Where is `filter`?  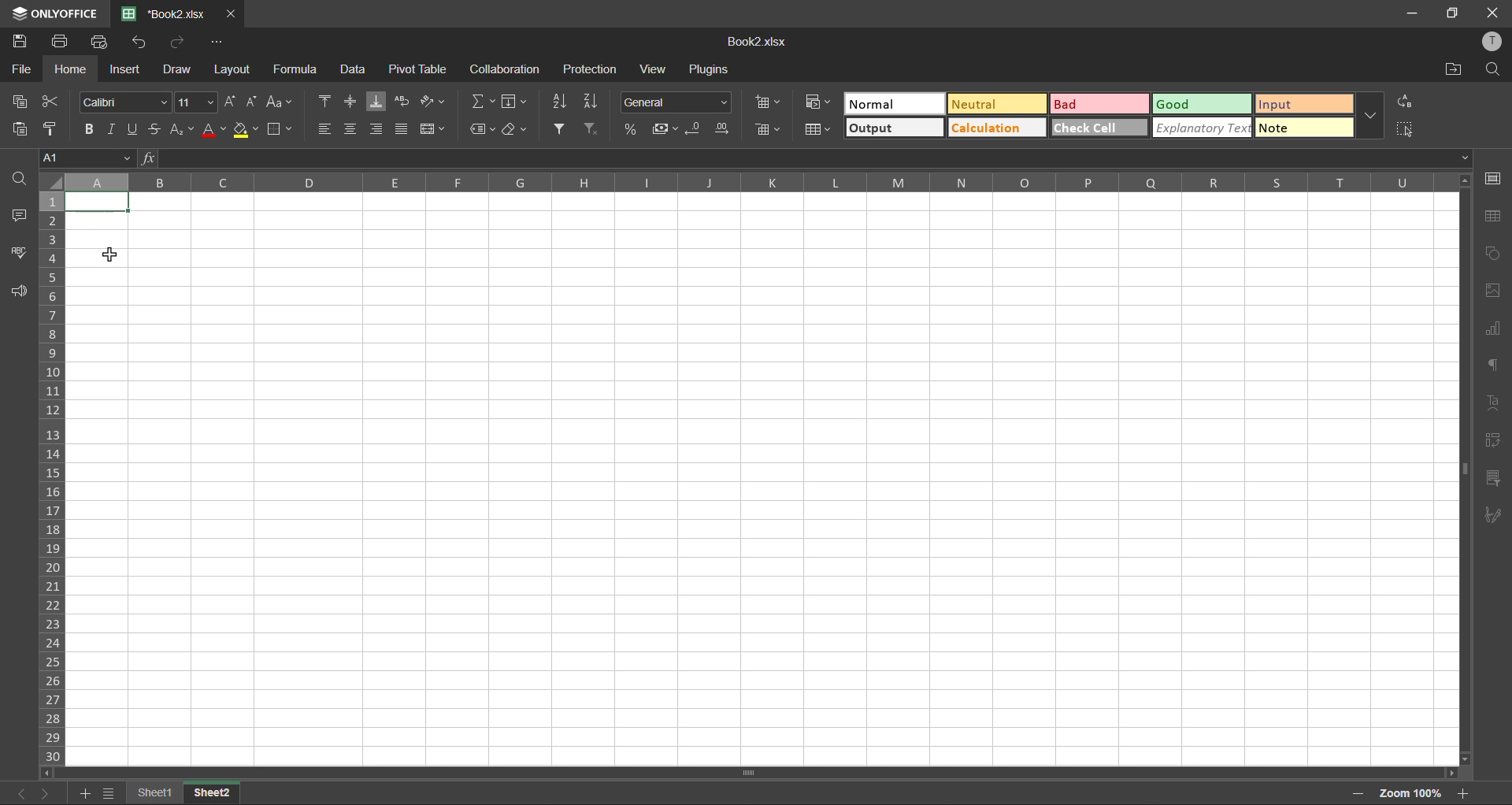 filter is located at coordinates (561, 129).